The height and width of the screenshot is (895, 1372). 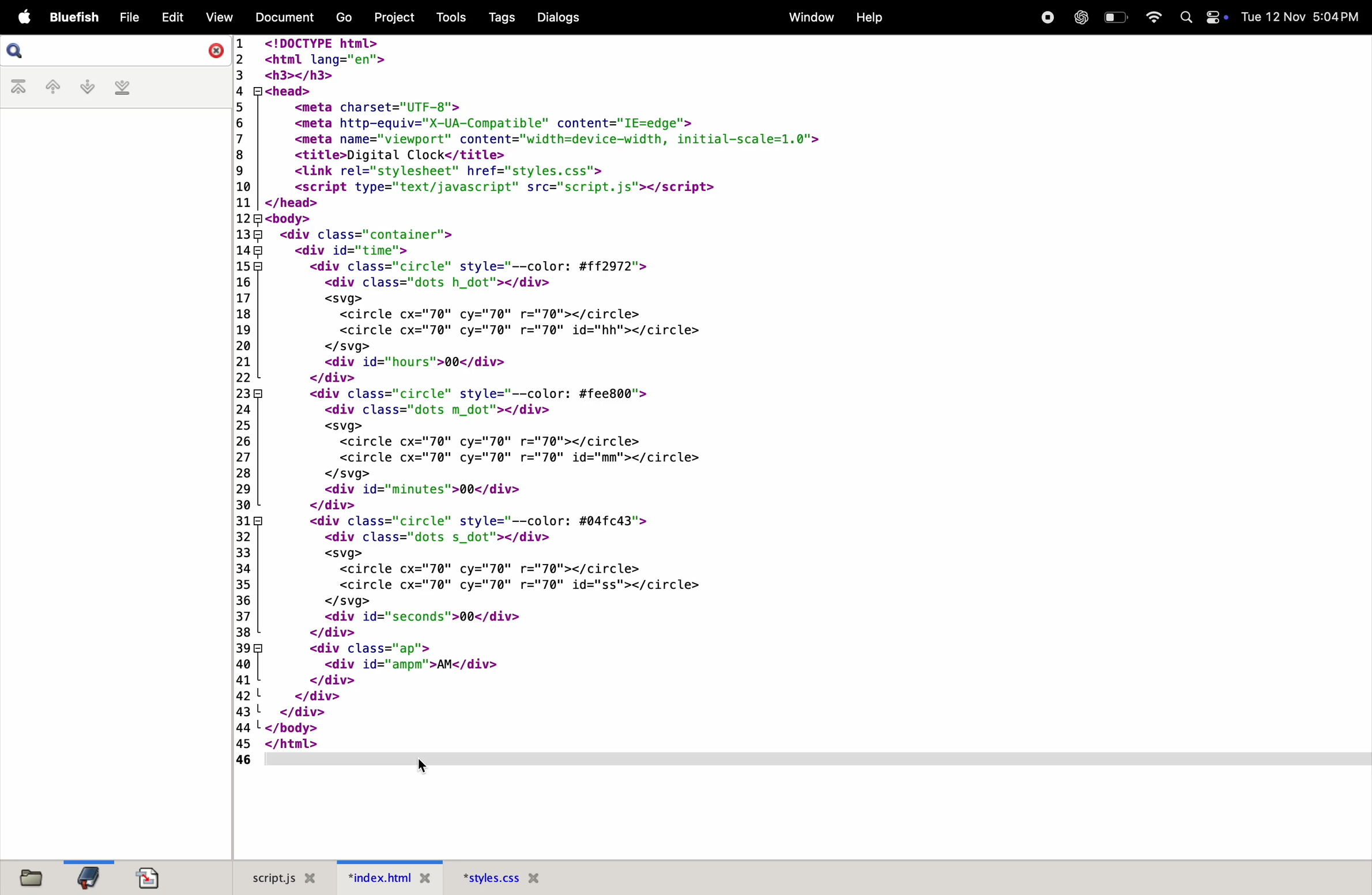 I want to click on previous bookmark, so click(x=51, y=85).